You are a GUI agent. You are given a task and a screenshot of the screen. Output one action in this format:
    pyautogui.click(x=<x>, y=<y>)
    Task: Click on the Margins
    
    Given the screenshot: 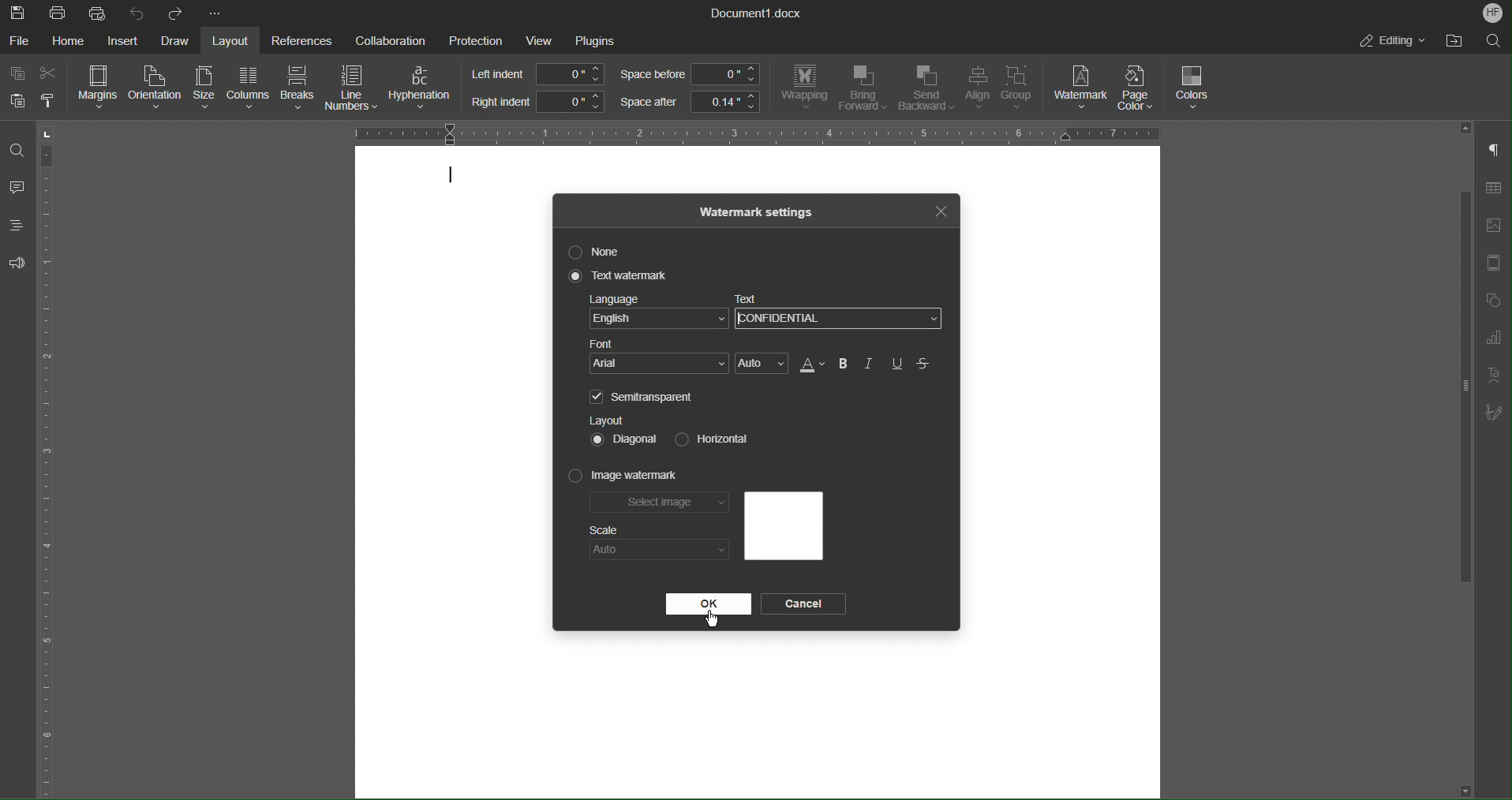 What is the action you would take?
    pyautogui.click(x=99, y=88)
    